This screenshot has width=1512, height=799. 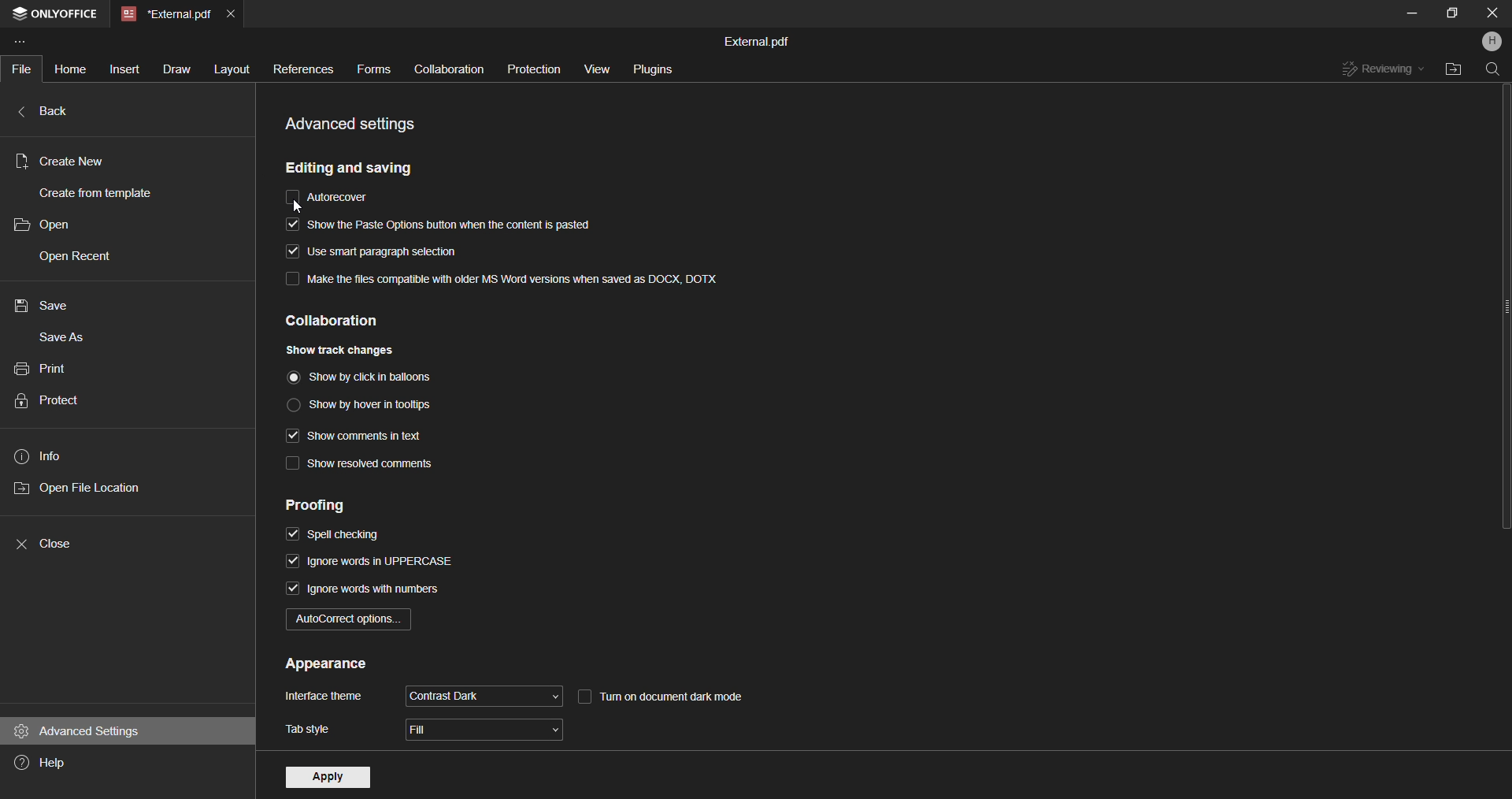 What do you see at coordinates (42, 306) in the screenshot?
I see `save` at bounding box center [42, 306].